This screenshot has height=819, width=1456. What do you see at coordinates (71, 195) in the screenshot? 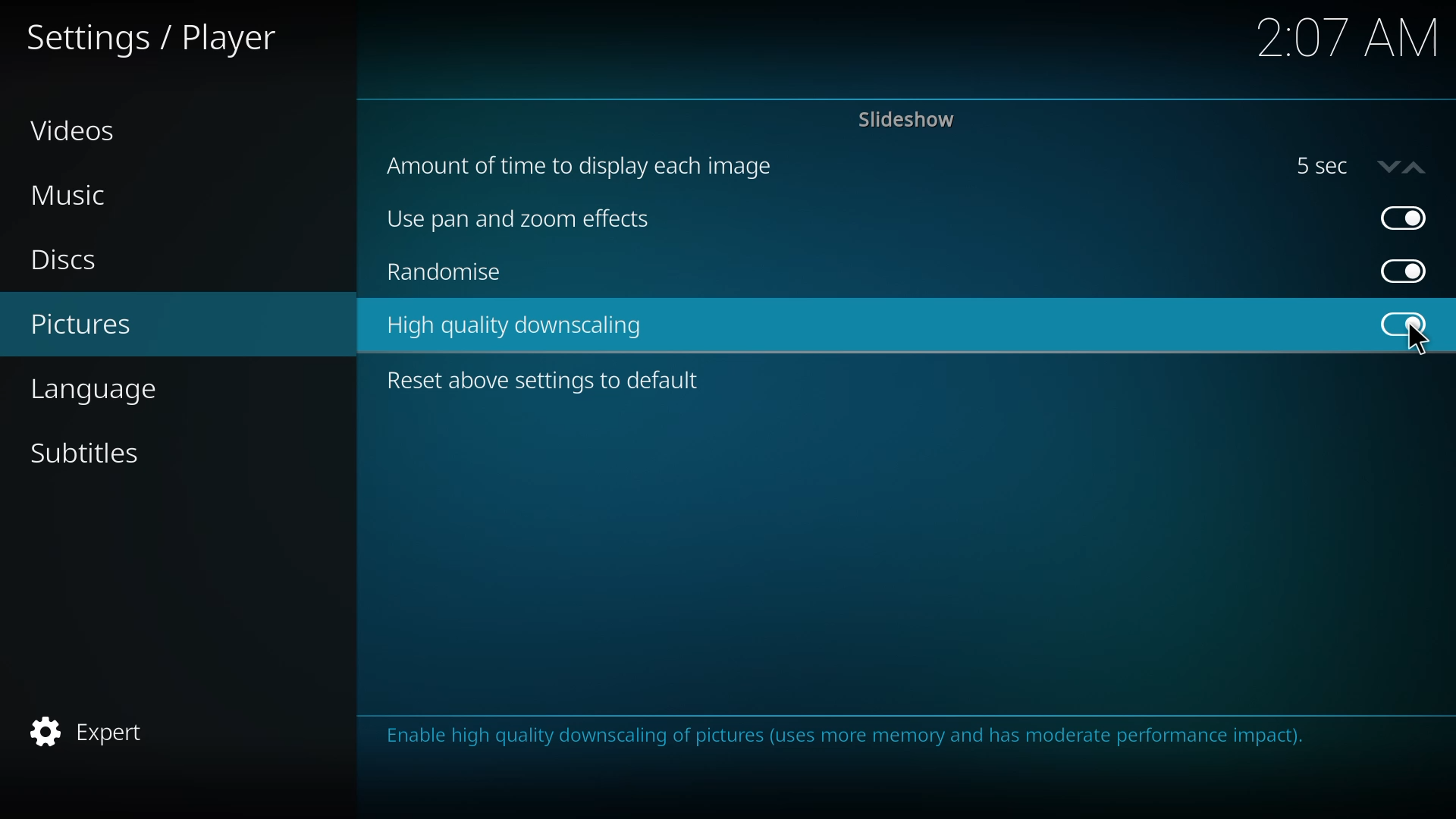
I see `music` at bounding box center [71, 195].